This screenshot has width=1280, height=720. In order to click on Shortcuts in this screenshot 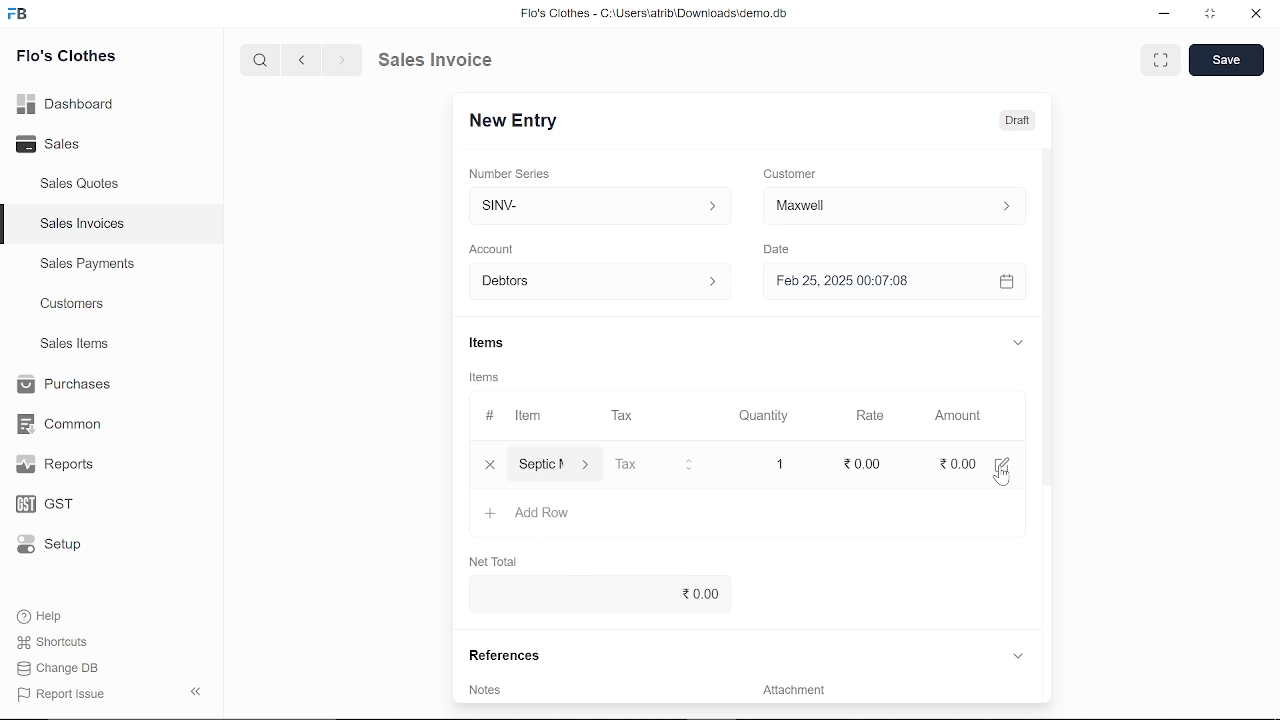, I will do `click(54, 642)`.